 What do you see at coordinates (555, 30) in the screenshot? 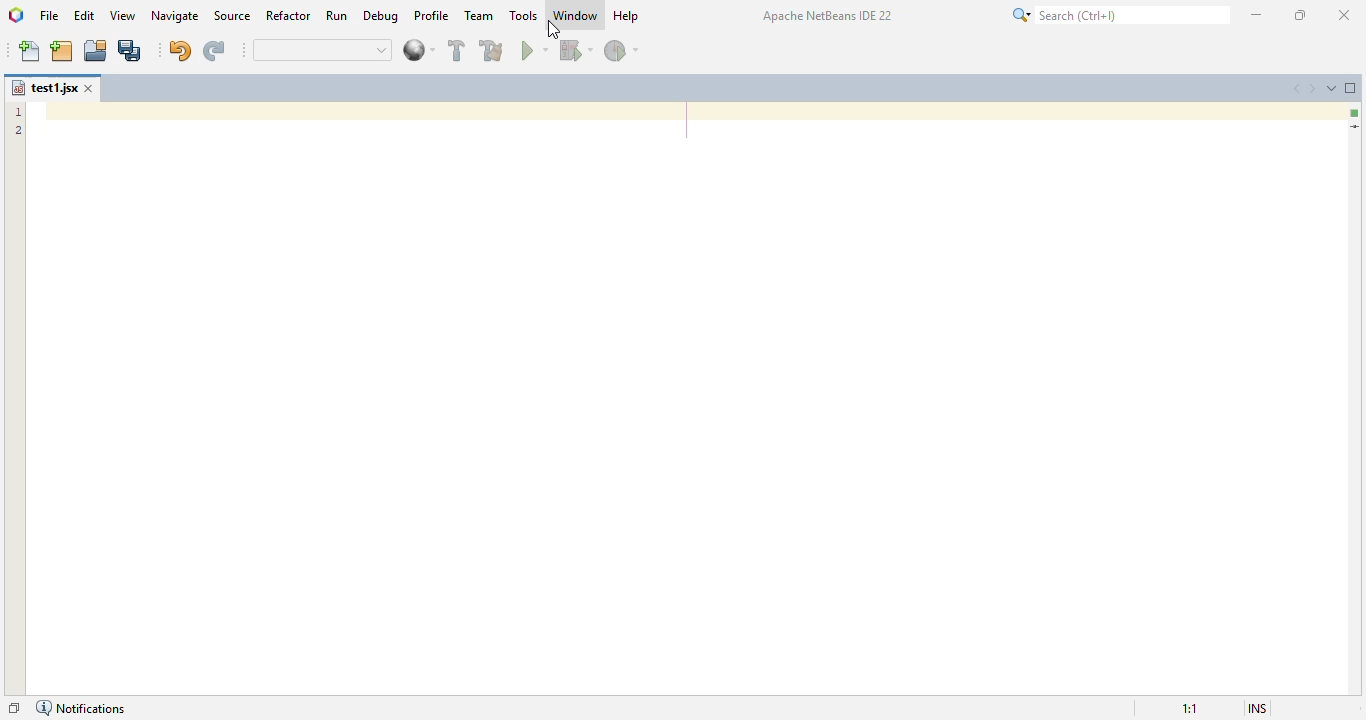
I see `cursor` at bounding box center [555, 30].